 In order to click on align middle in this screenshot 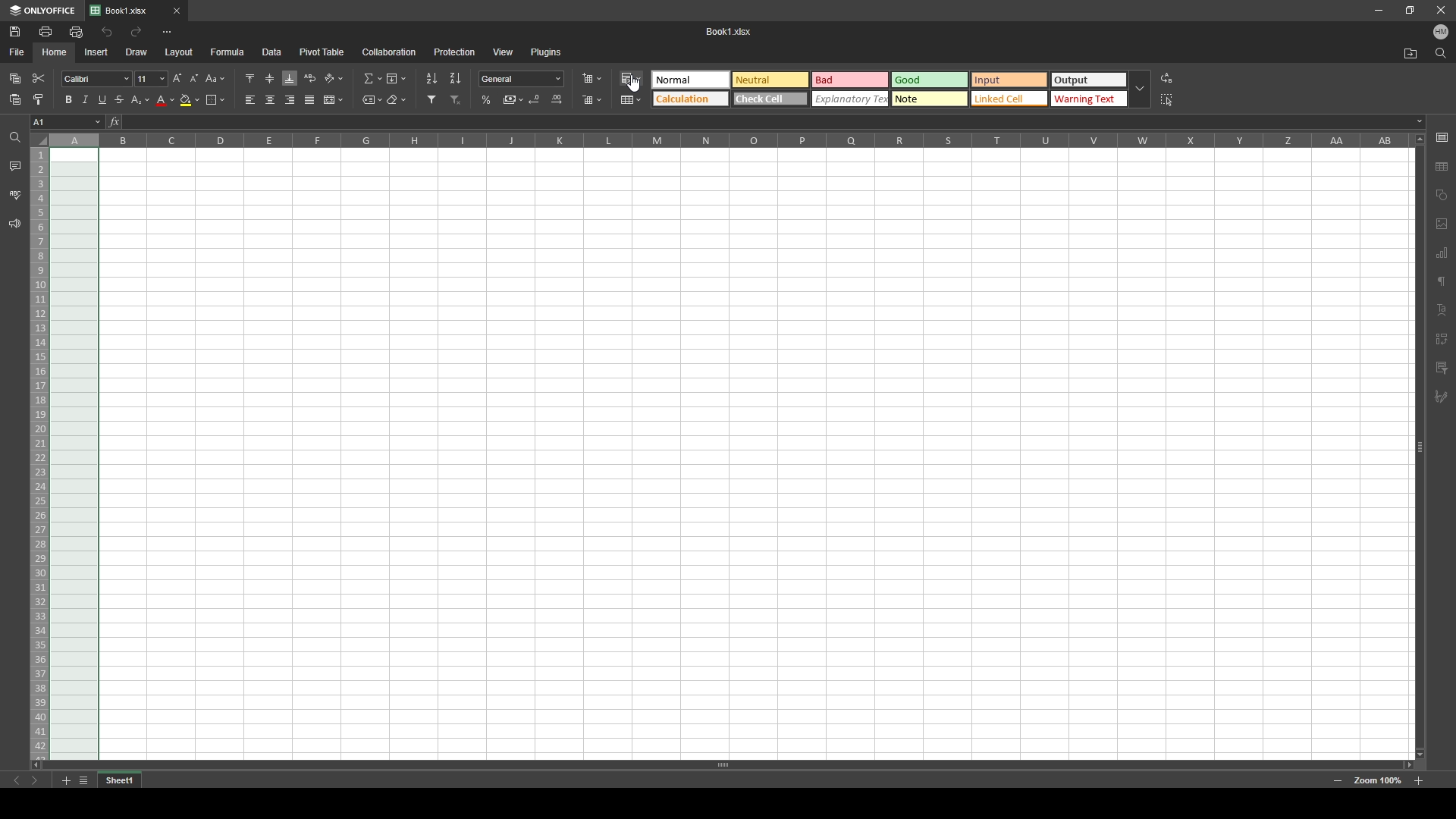, I will do `click(271, 79)`.